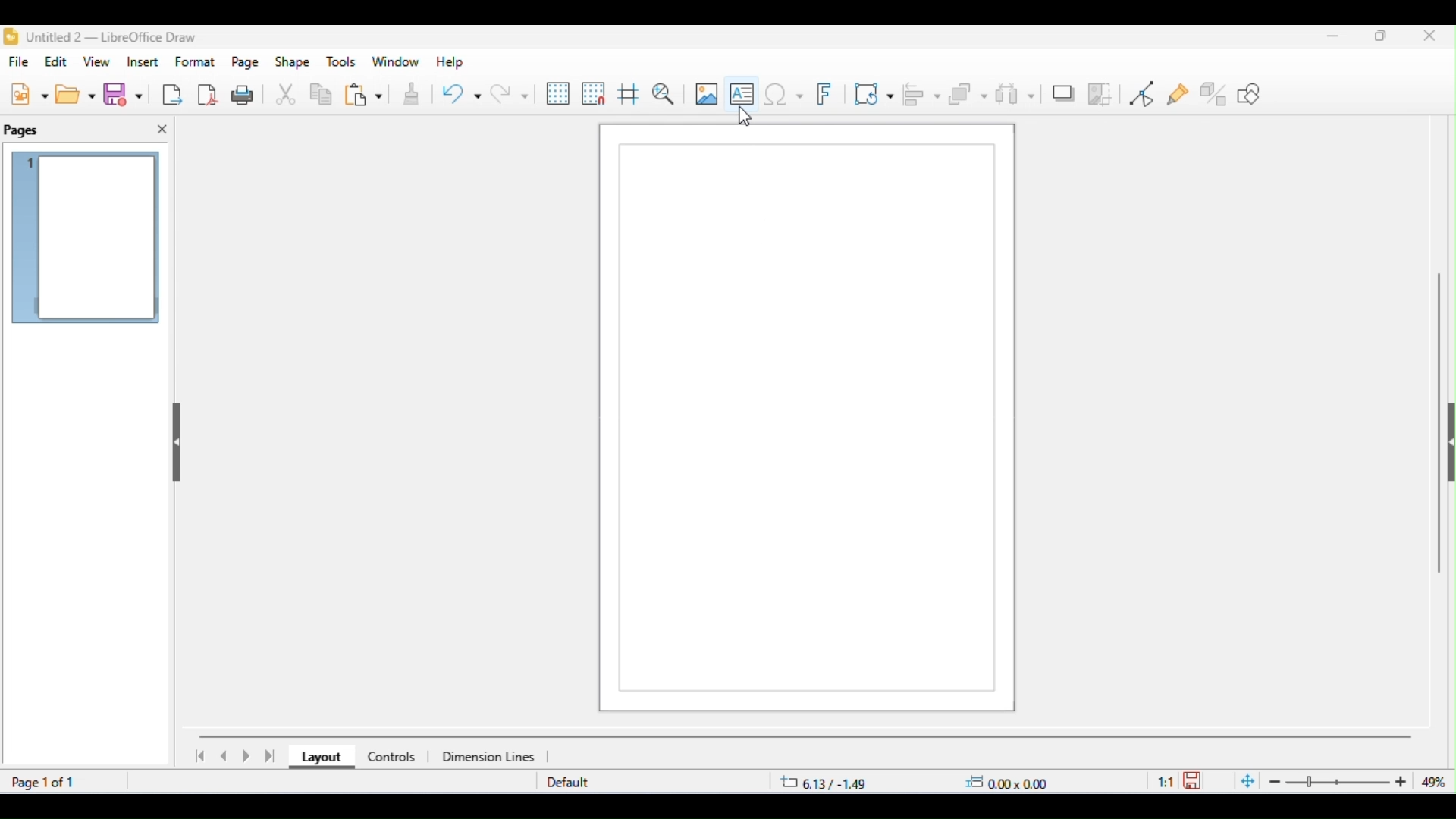  What do you see at coordinates (559, 94) in the screenshot?
I see `display grid` at bounding box center [559, 94].